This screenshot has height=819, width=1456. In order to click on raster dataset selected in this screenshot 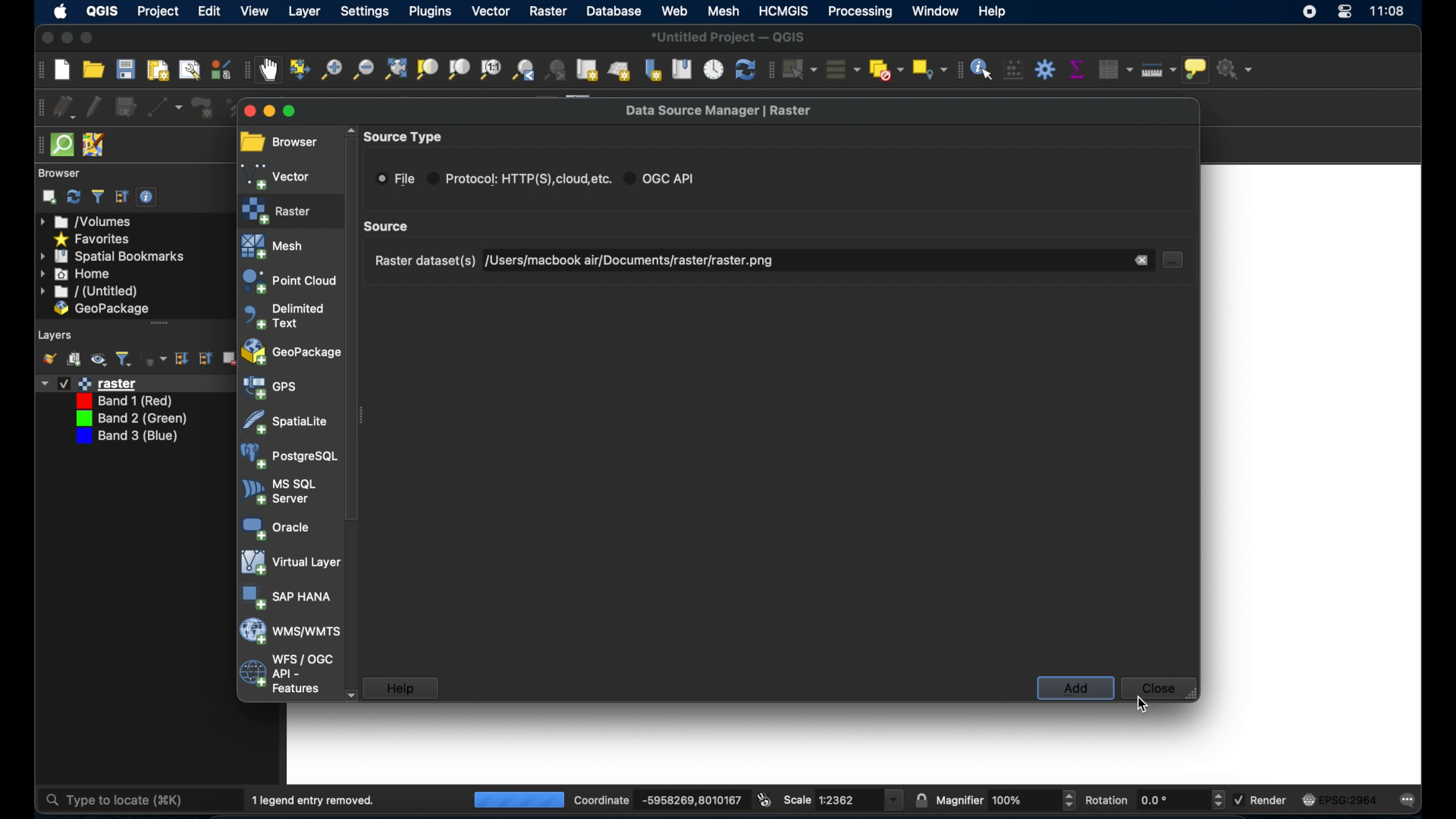, I will do `click(640, 261)`.